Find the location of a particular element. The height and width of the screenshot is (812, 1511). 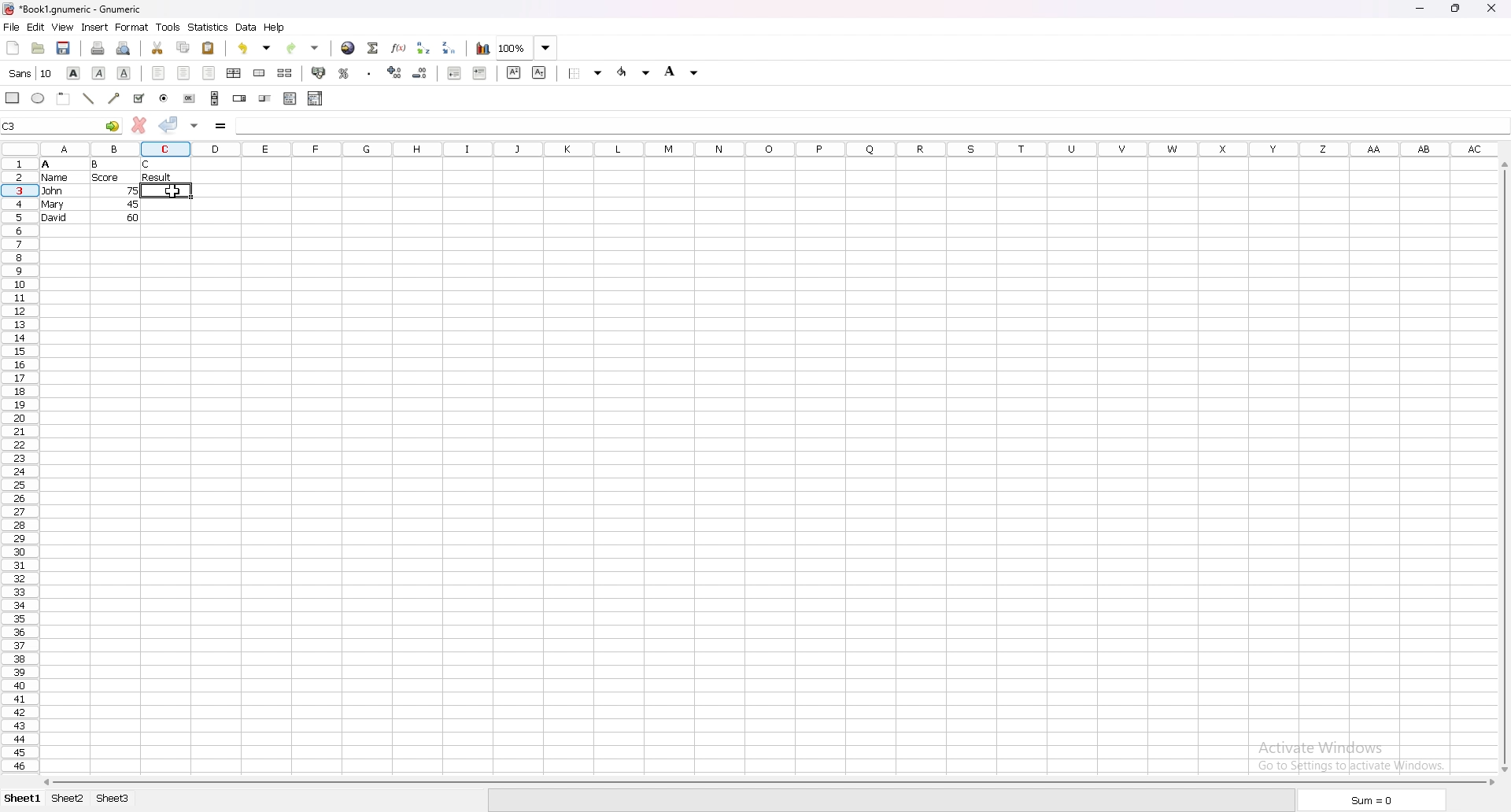

accounting is located at coordinates (319, 73).